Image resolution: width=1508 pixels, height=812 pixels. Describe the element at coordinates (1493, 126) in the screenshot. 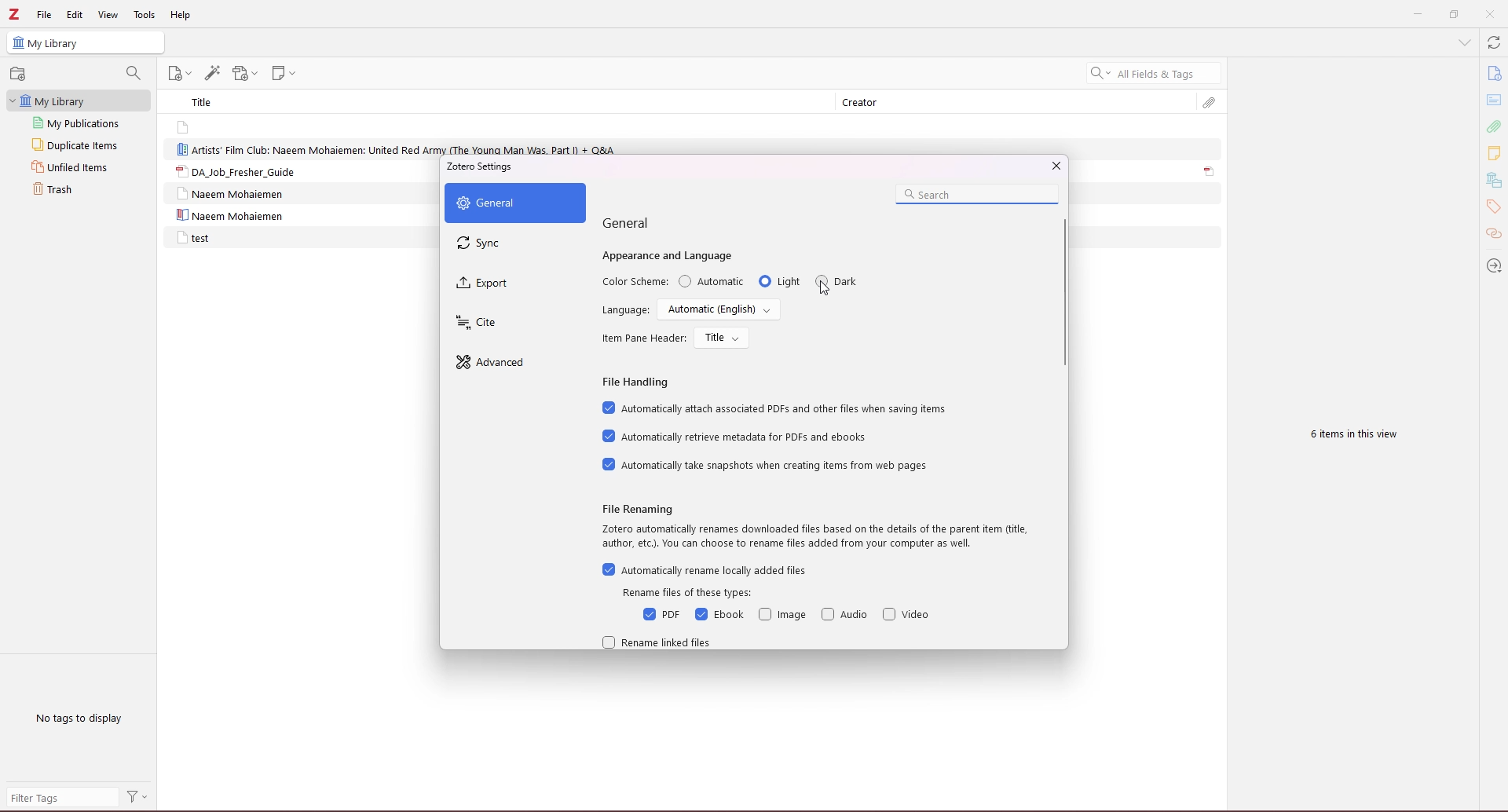

I see `attachment` at that location.